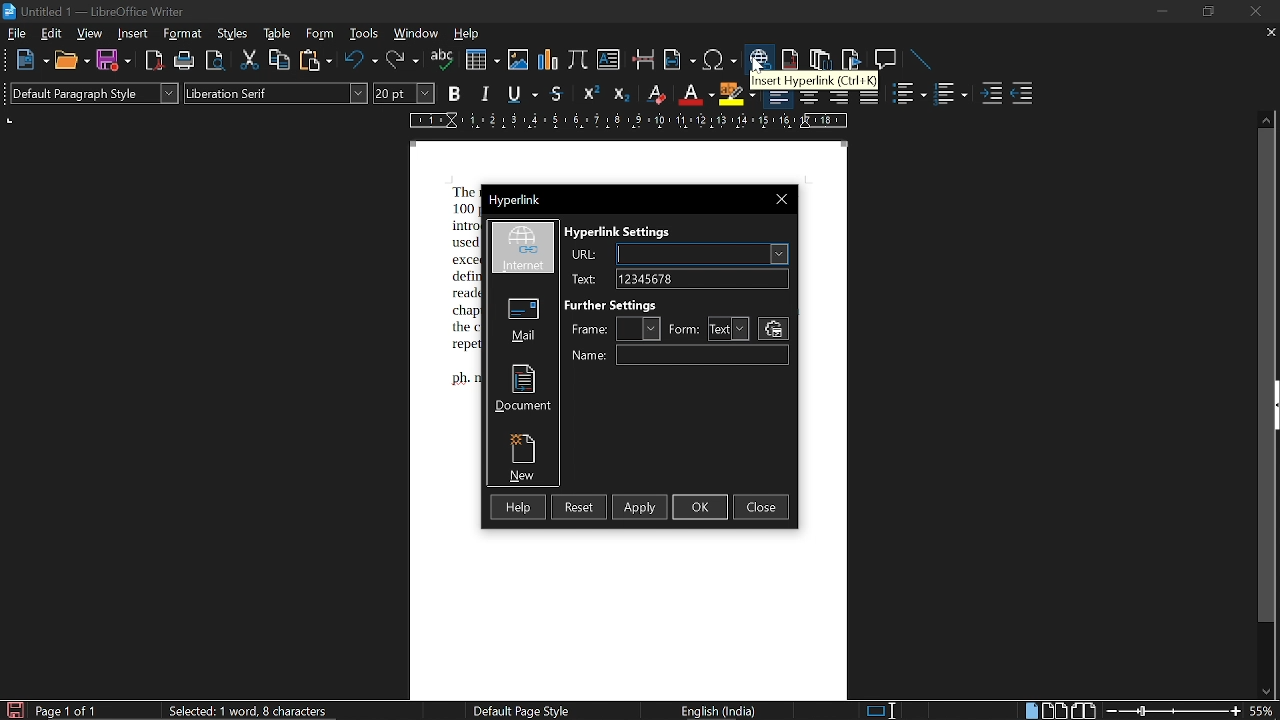 Image resolution: width=1280 pixels, height=720 pixels. I want to click on close, so click(781, 201).